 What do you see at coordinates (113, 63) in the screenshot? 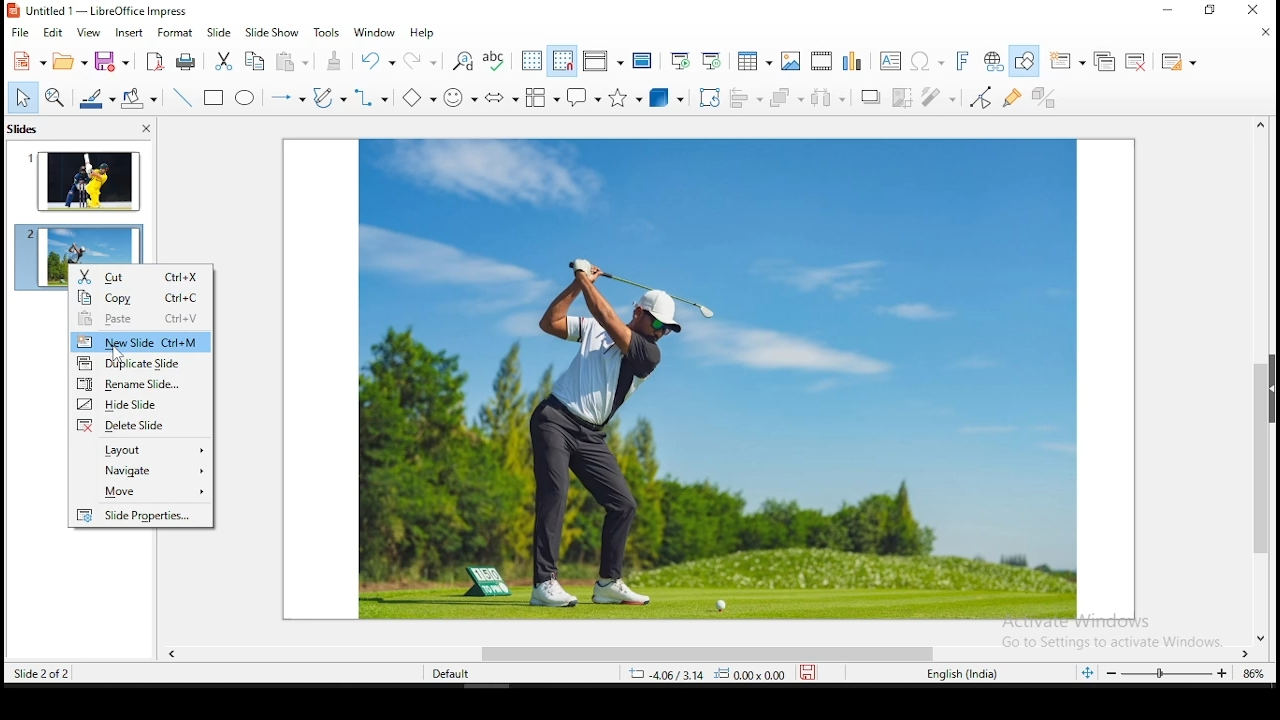
I see `save` at bounding box center [113, 63].